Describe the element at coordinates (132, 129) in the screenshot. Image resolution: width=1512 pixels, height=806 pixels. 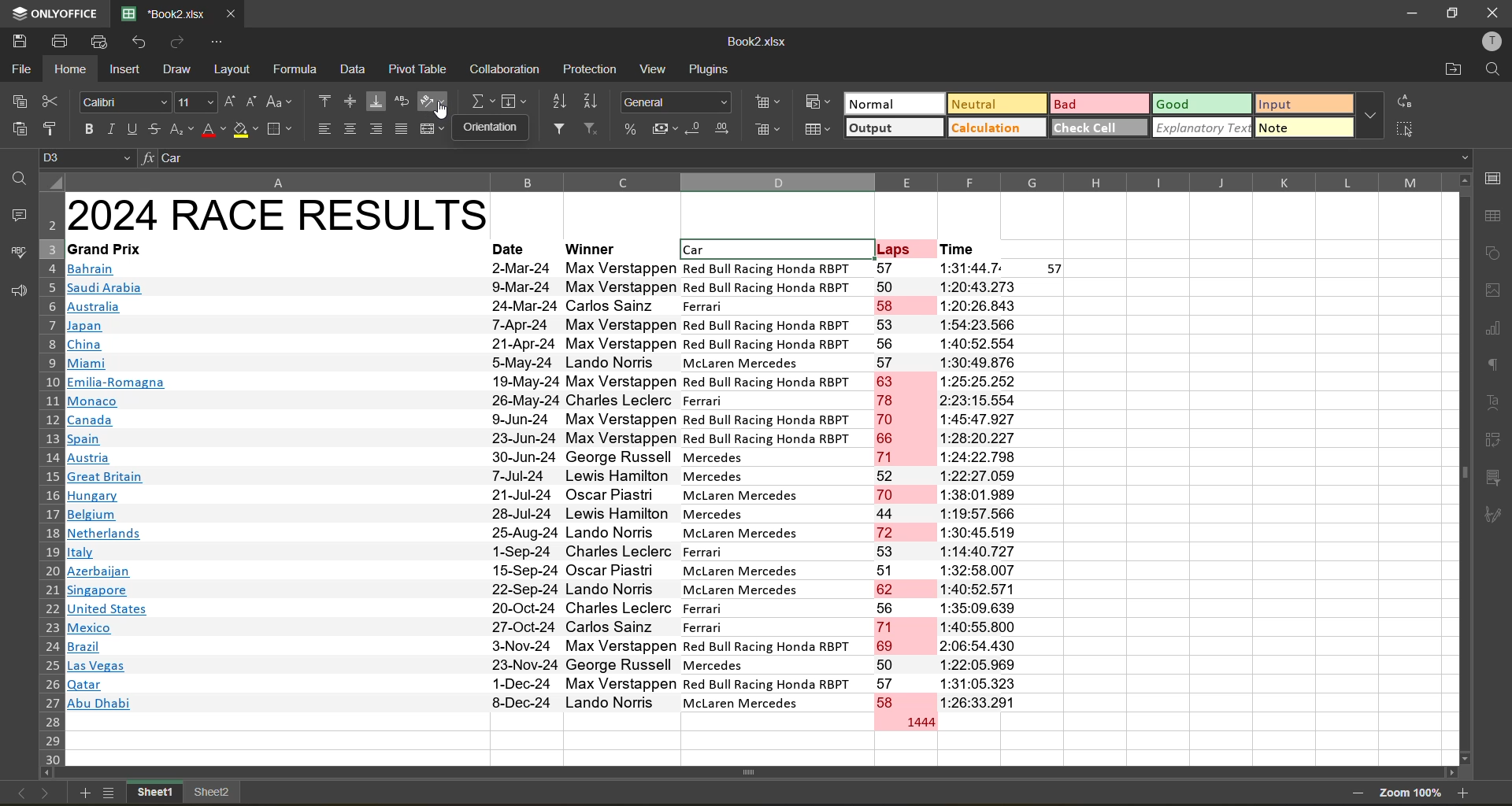
I see `underline` at that location.